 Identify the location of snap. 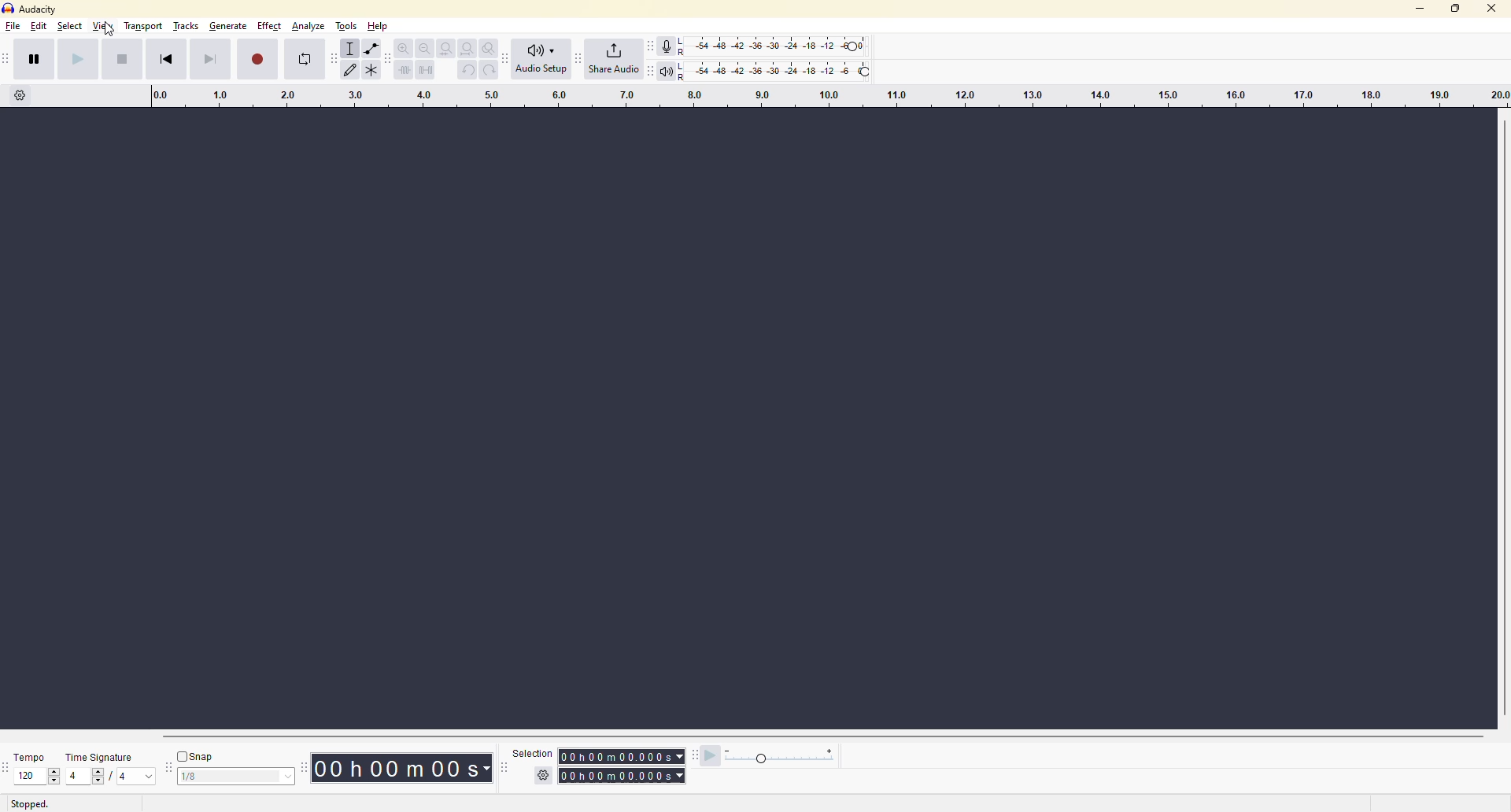
(195, 758).